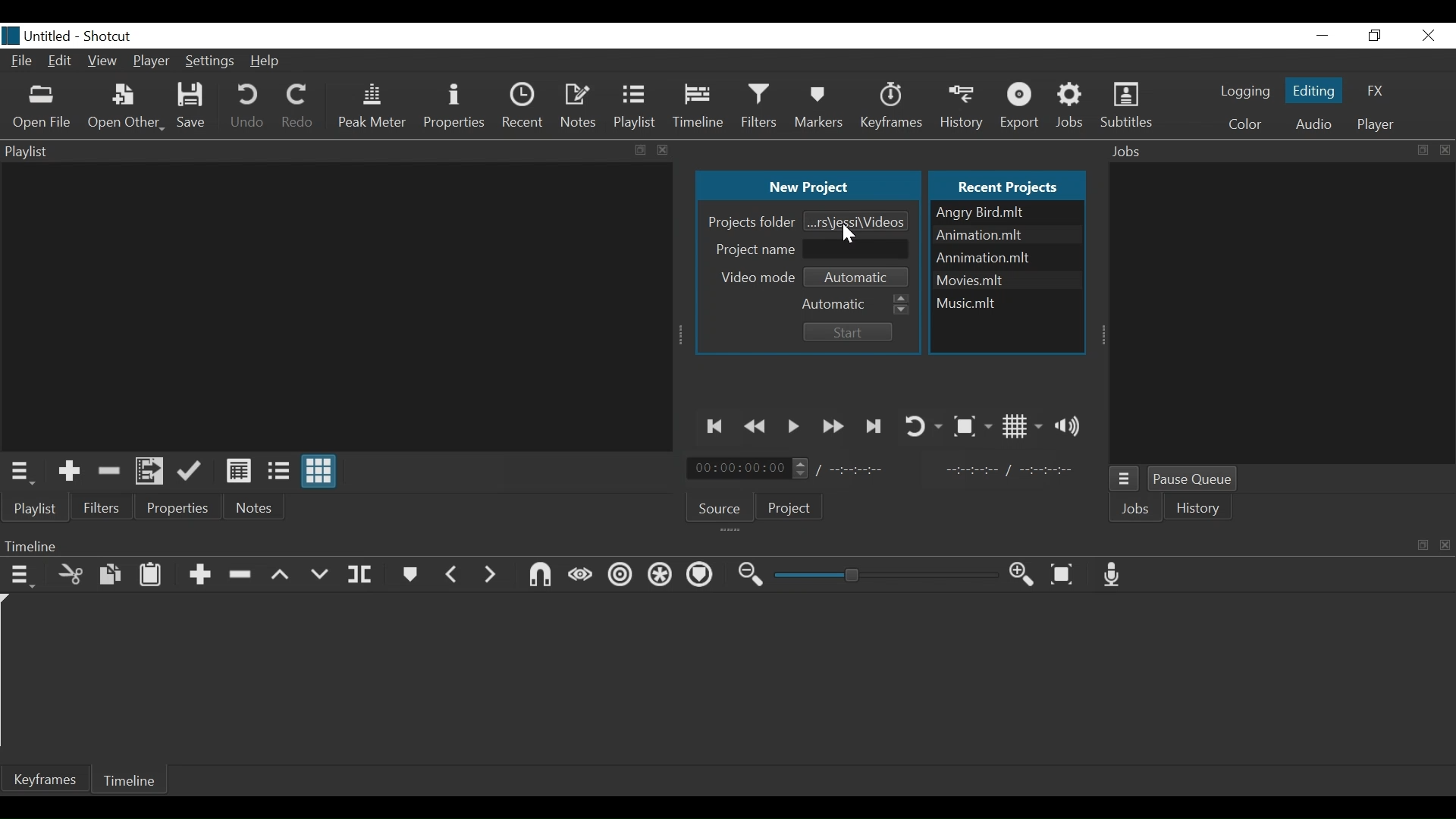 Image resolution: width=1456 pixels, height=819 pixels. I want to click on Zoom Slider, so click(886, 576).